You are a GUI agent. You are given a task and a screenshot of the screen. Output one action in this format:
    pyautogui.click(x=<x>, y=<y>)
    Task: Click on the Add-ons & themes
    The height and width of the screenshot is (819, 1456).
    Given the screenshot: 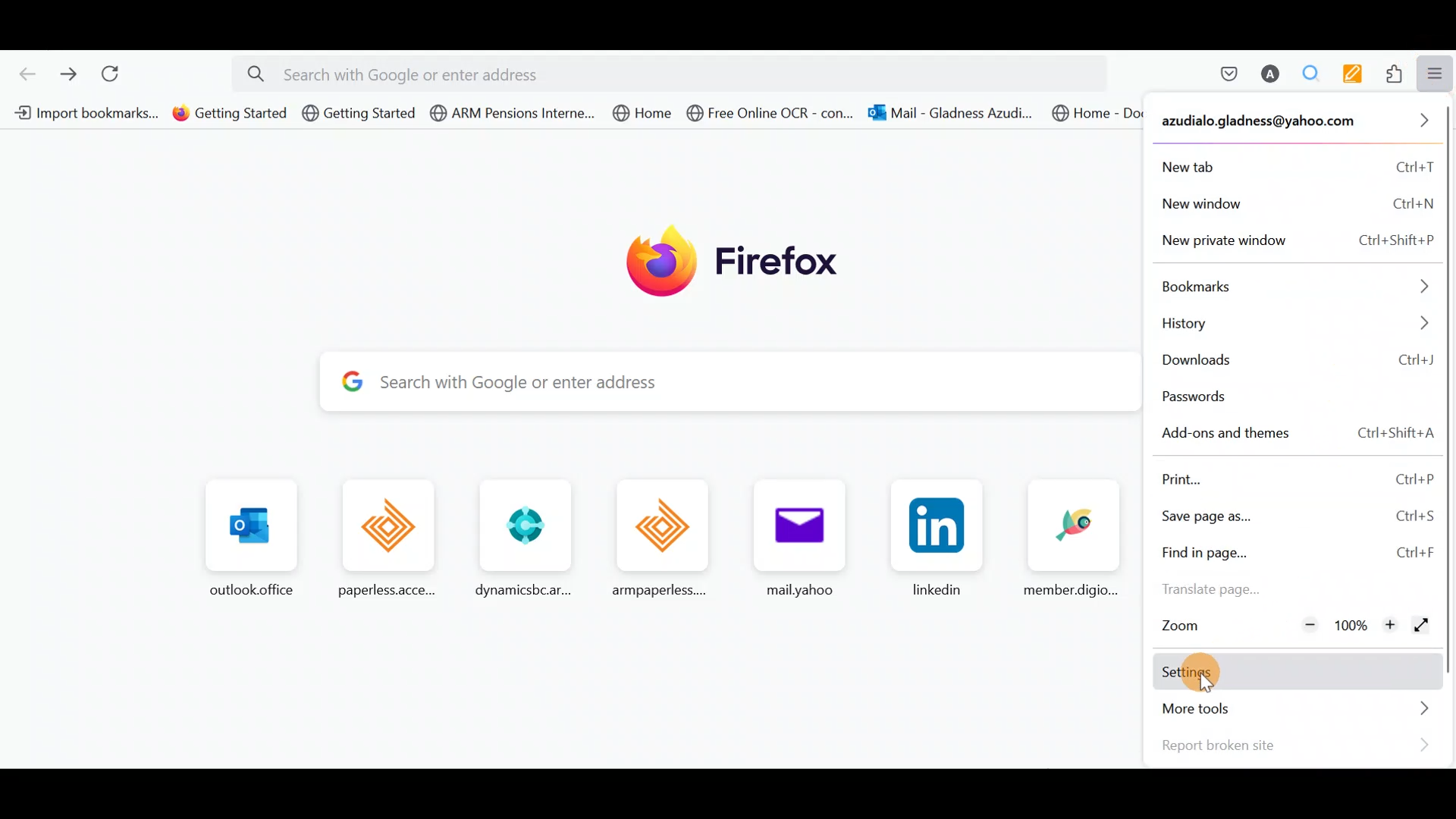 What is the action you would take?
    pyautogui.click(x=1296, y=438)
    